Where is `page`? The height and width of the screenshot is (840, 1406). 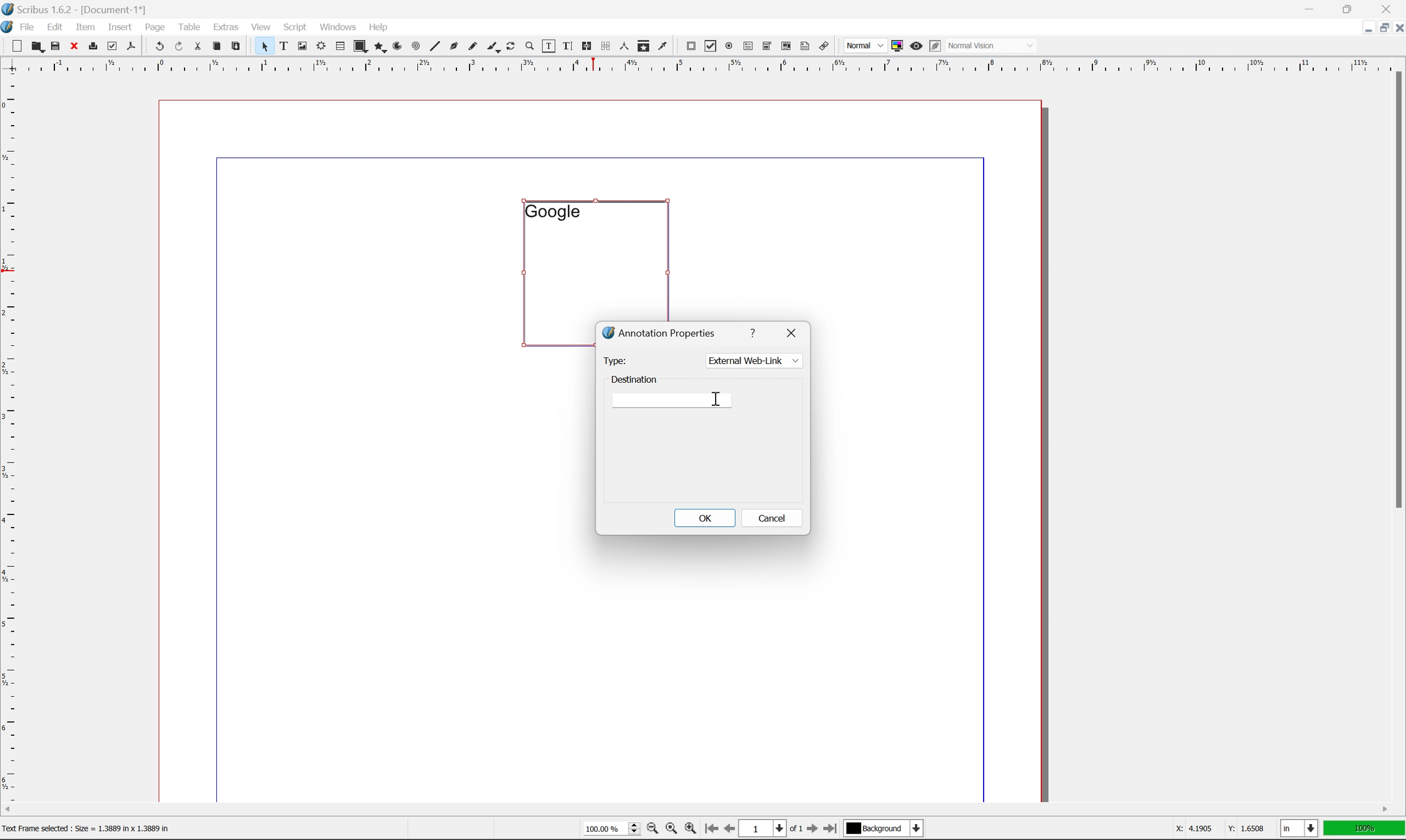 page is located at coordinates (155, 27).